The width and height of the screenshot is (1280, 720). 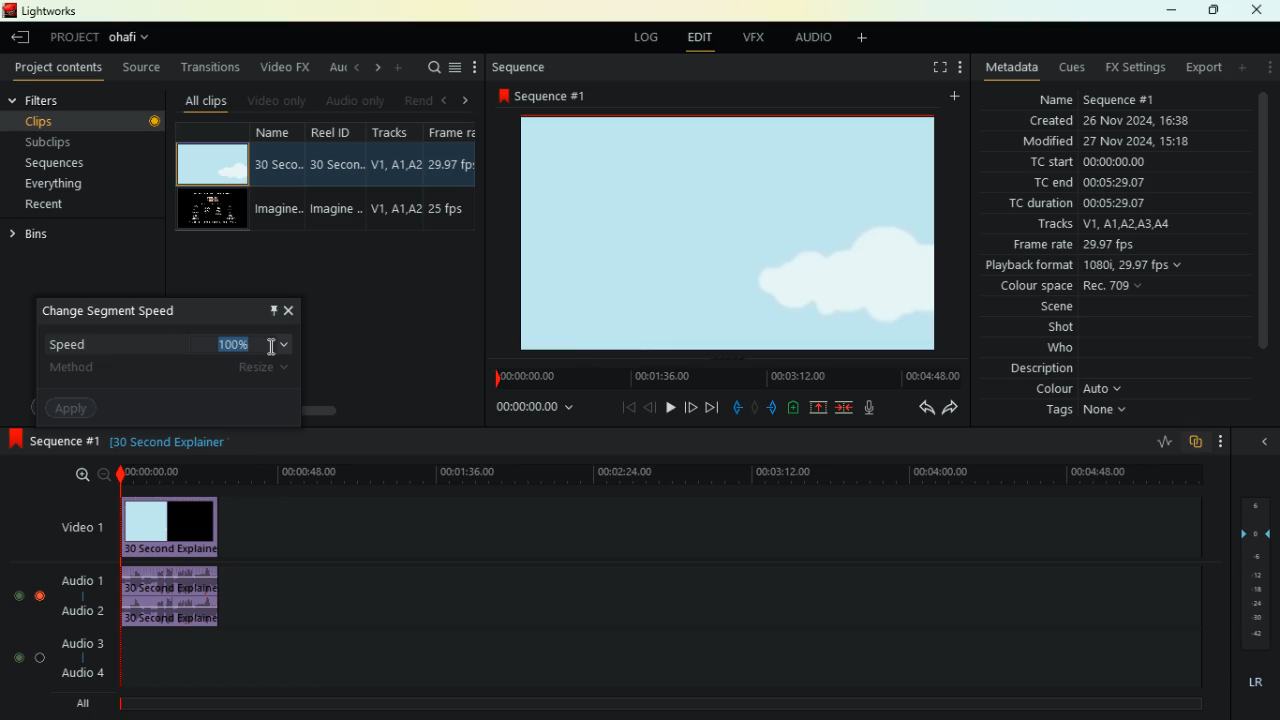 I want to click on colour auto, so click(x=1082, y=389).